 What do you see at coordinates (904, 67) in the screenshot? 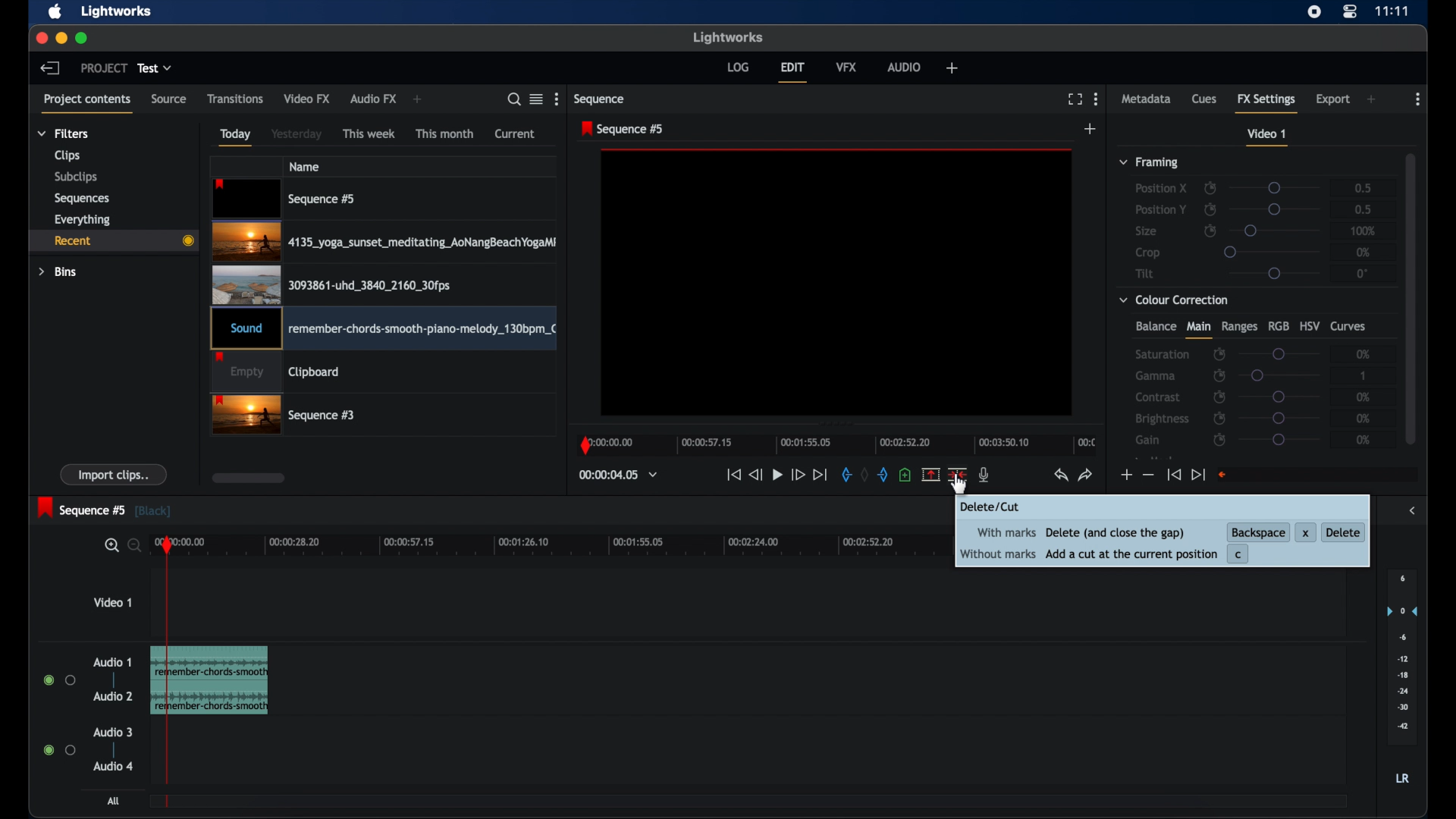
I see `audio` at bounding box center [904, 67].